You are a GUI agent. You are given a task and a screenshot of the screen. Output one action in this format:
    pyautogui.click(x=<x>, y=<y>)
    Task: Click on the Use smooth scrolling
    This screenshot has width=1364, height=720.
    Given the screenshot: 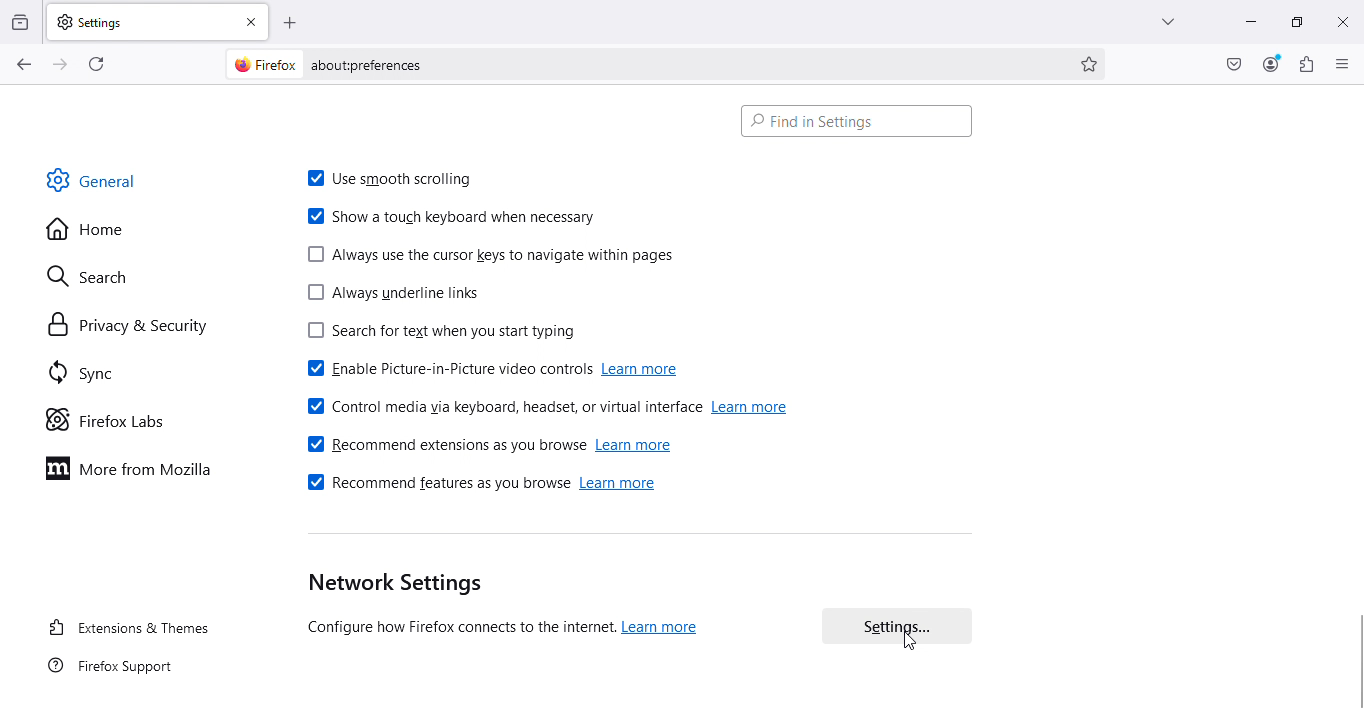 What is the action you would take?
    pyautogui.click(x=400, y=181)
    